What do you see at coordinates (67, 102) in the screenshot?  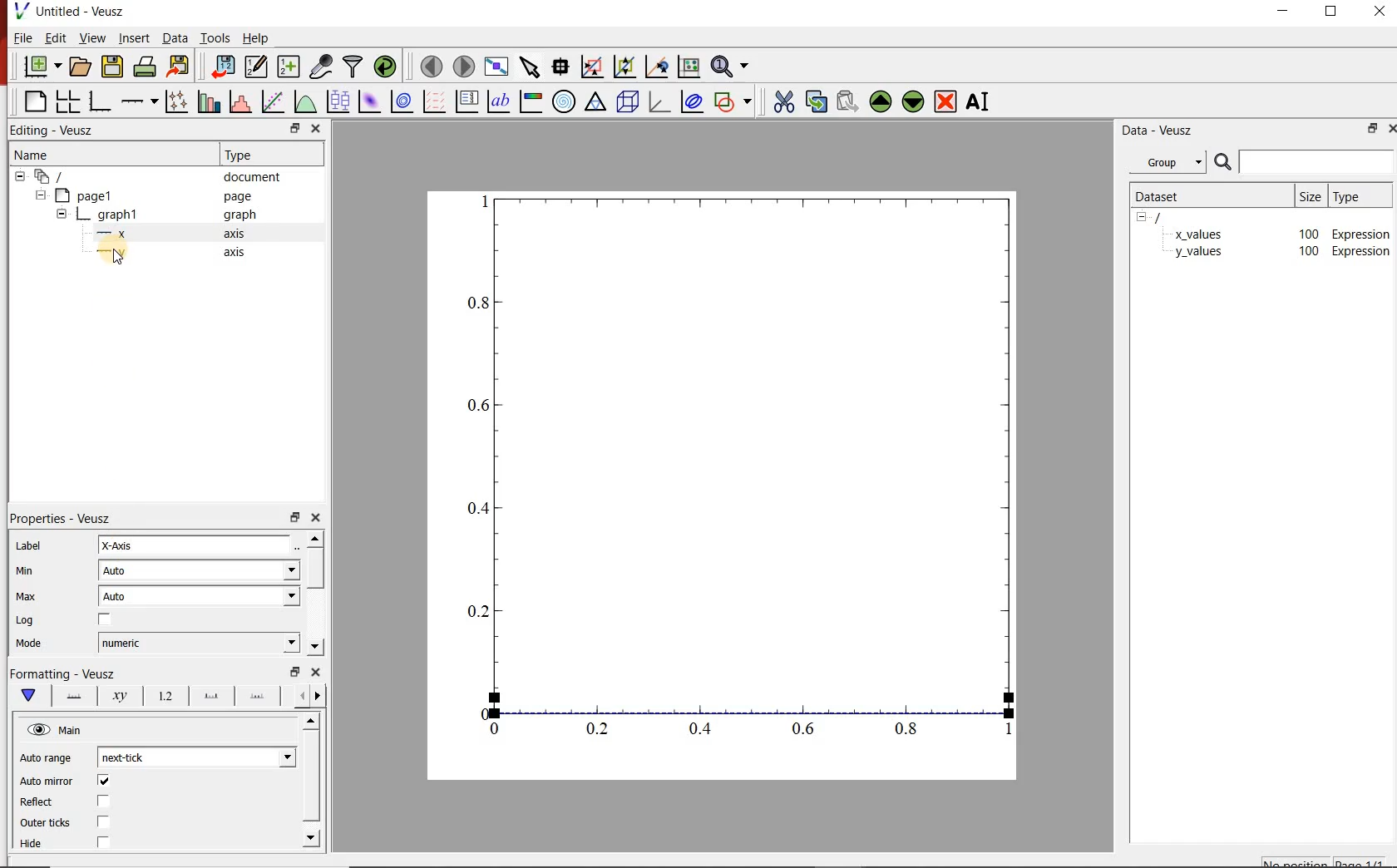 I see `arrange graphs in a grid` at bounding box center [67, 102].